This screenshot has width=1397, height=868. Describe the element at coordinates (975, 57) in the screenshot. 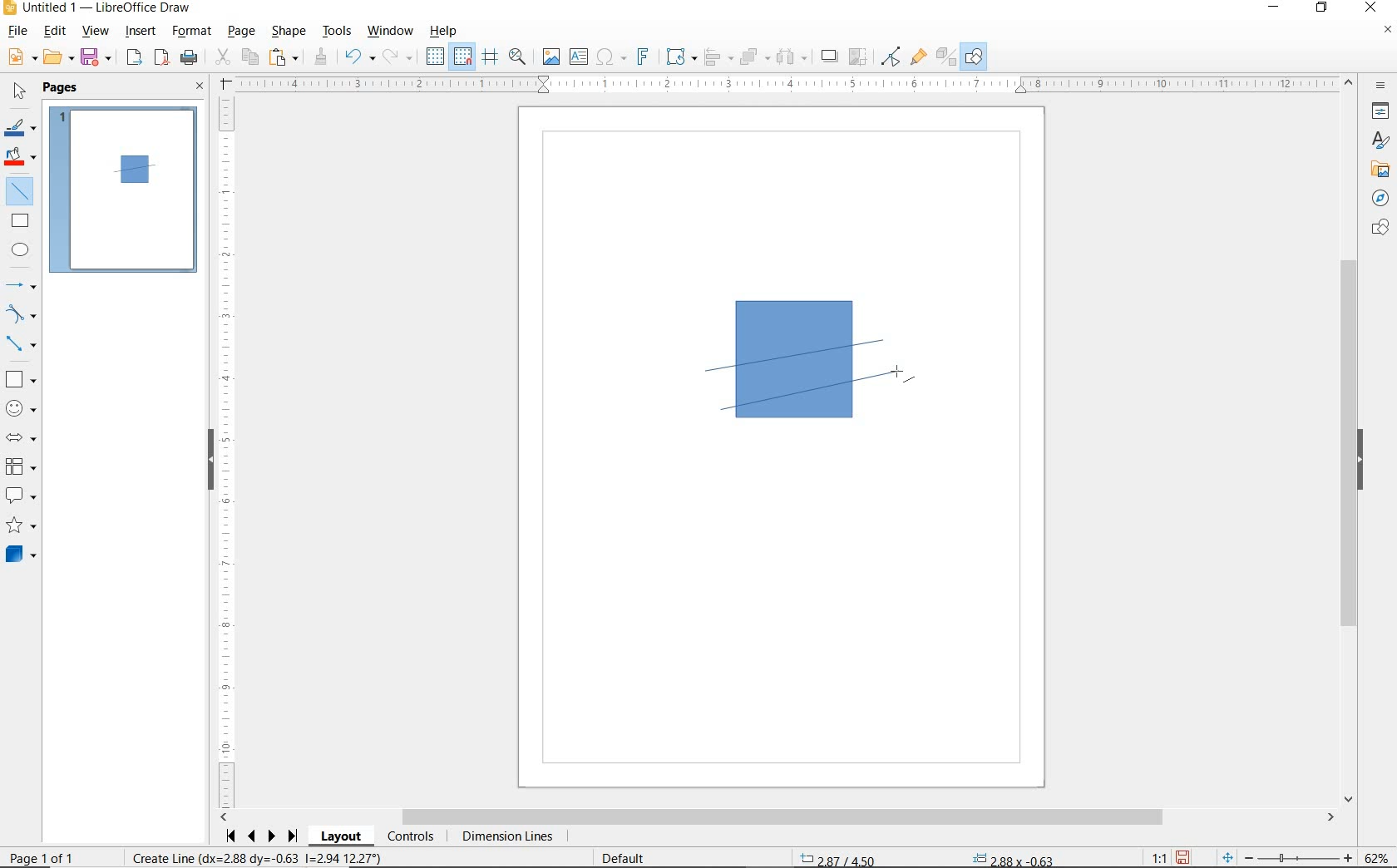

I see `SHOW DRAW FUNCTIONS` at that location.